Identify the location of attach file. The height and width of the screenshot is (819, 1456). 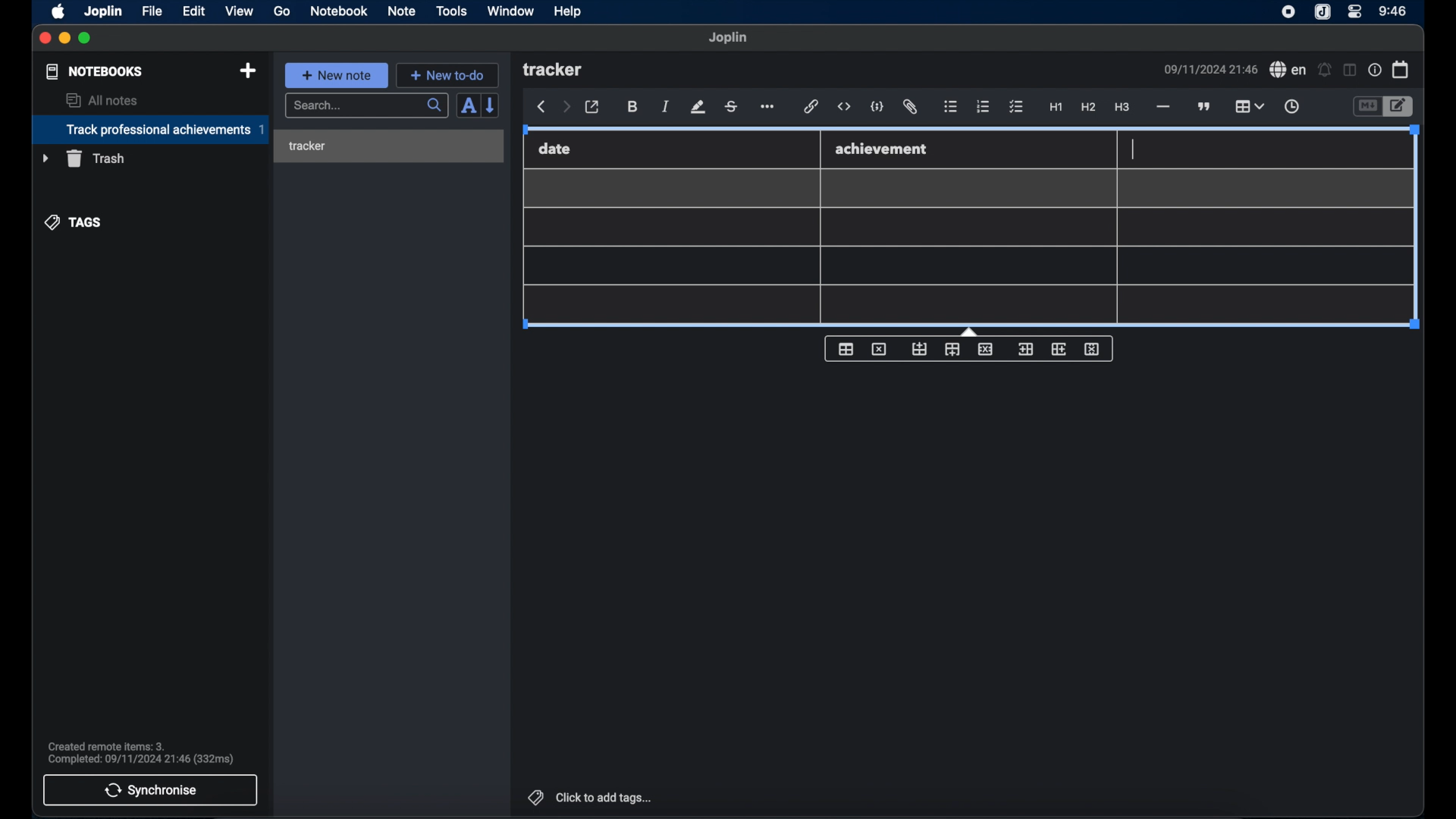
(912, 108).